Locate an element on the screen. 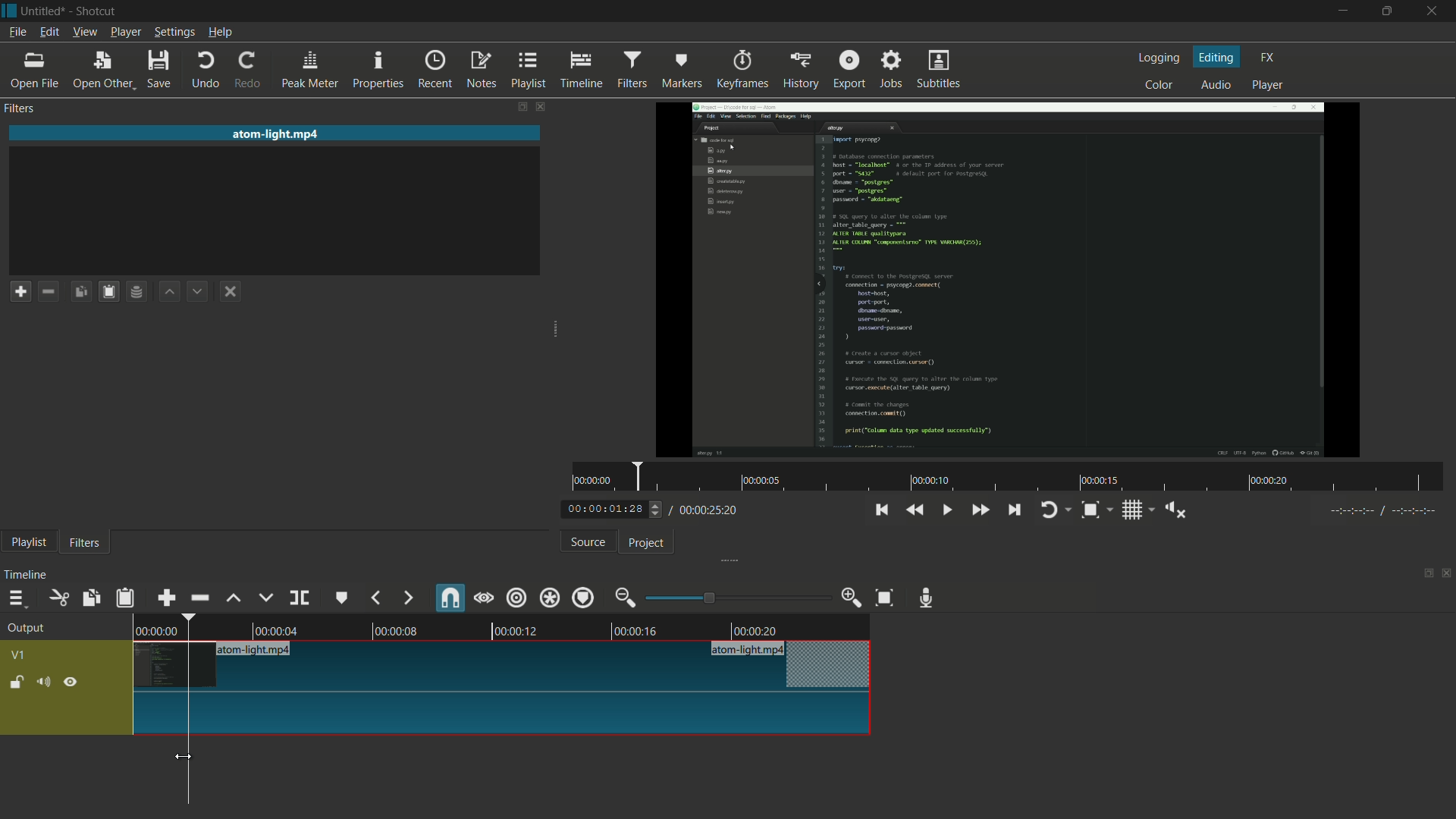 The width and height of the screenshot is (1456, 819). notes is located at coordinates (481, 71).